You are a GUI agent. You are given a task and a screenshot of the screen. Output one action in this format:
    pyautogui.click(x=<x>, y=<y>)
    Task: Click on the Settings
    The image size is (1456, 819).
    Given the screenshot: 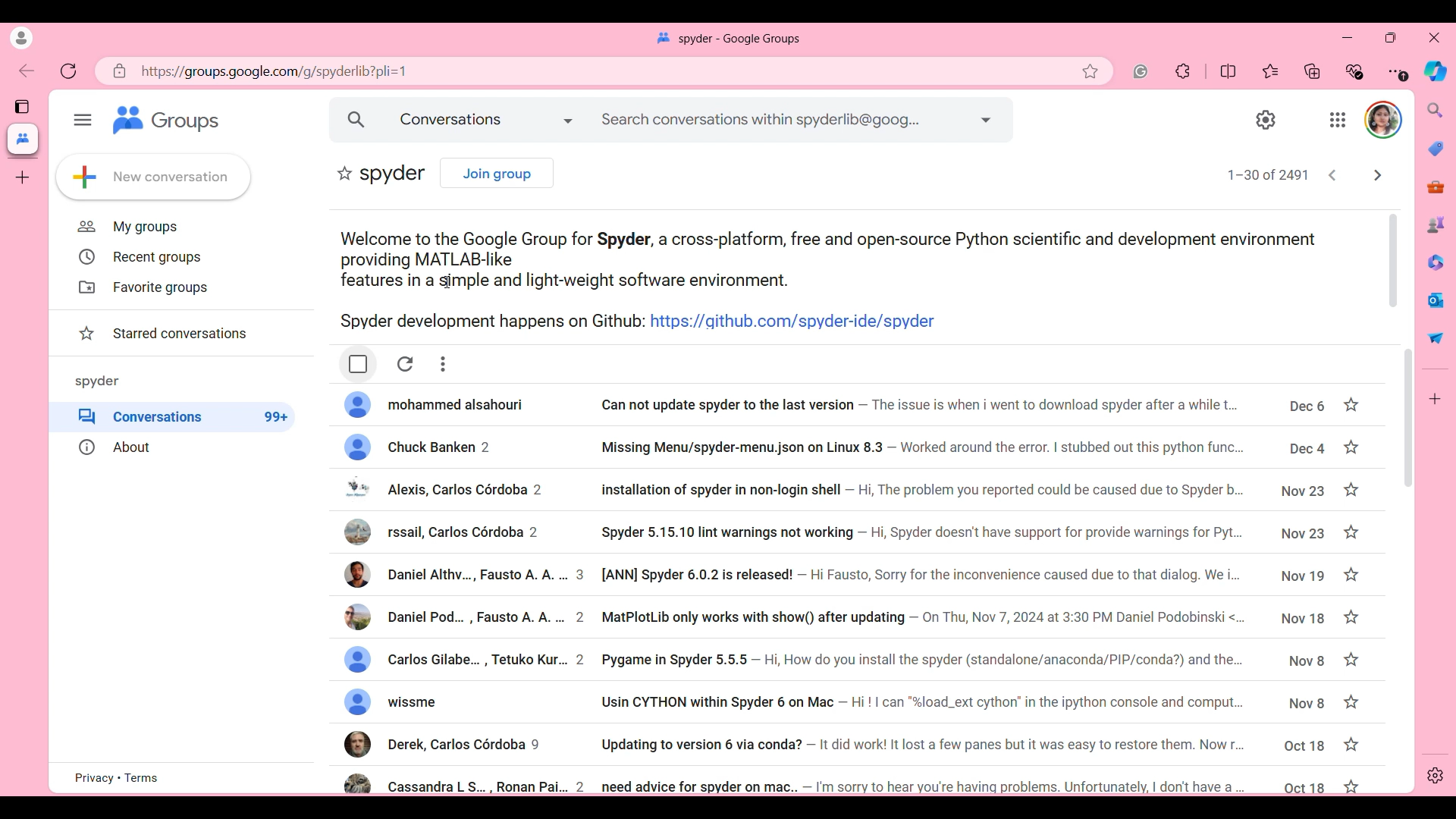 What is the action you would take?
    pyautogui.click(x=1434, y=775)
    